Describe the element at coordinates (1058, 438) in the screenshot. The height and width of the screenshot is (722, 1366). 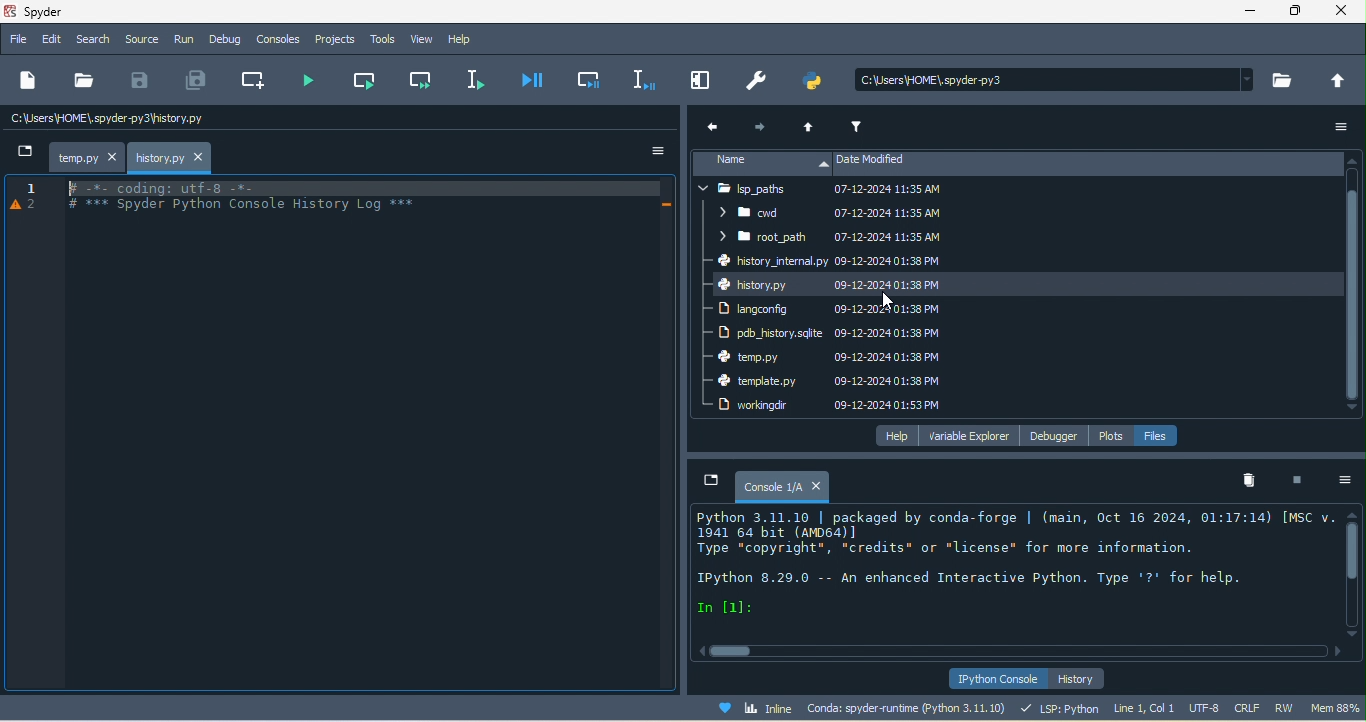
I see `debugger` at that location.